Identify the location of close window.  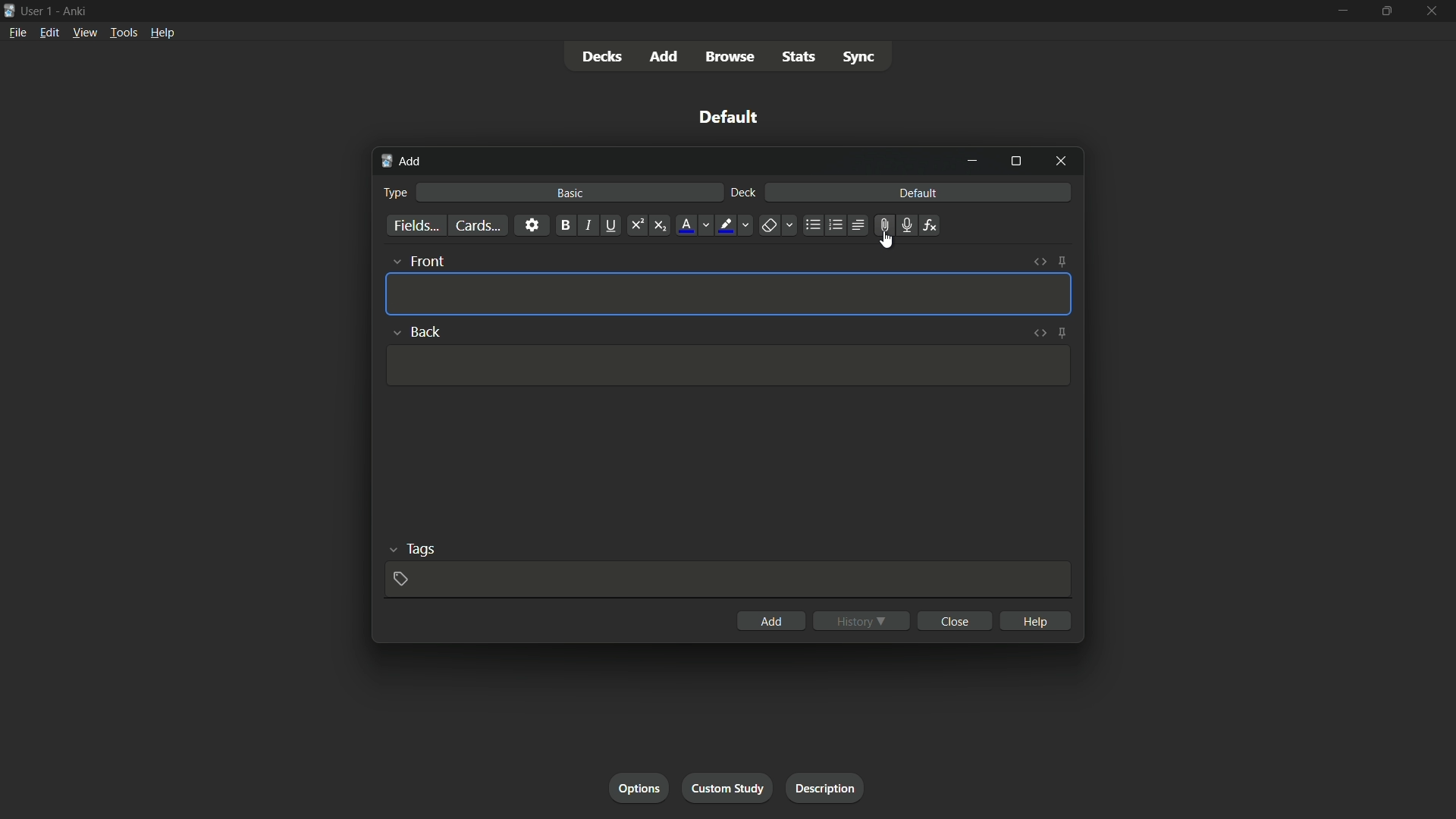
(1062, 162).